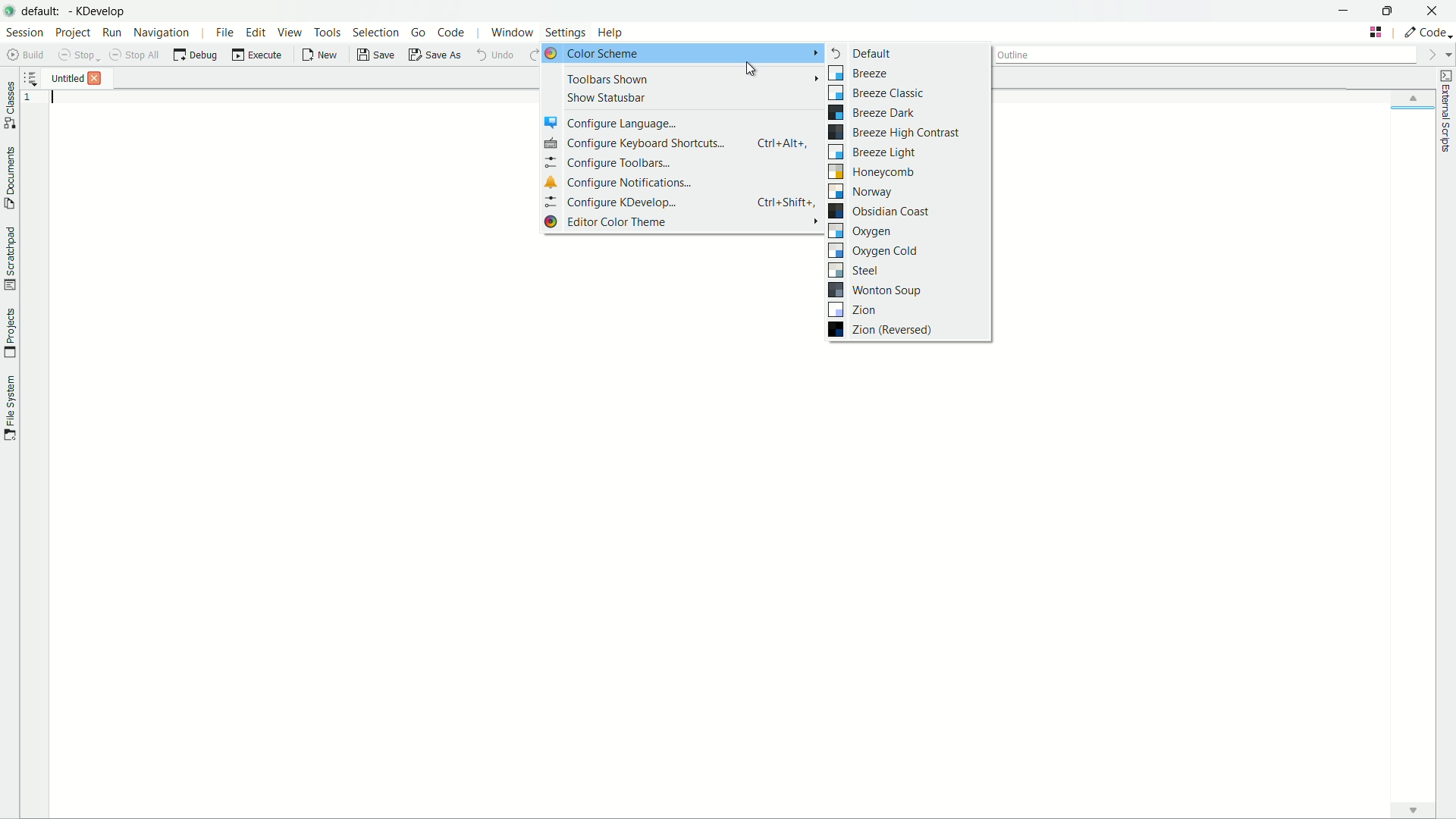  Describe the element at coordinates (99, 78) in the screenshot. I see `Close` at that location.